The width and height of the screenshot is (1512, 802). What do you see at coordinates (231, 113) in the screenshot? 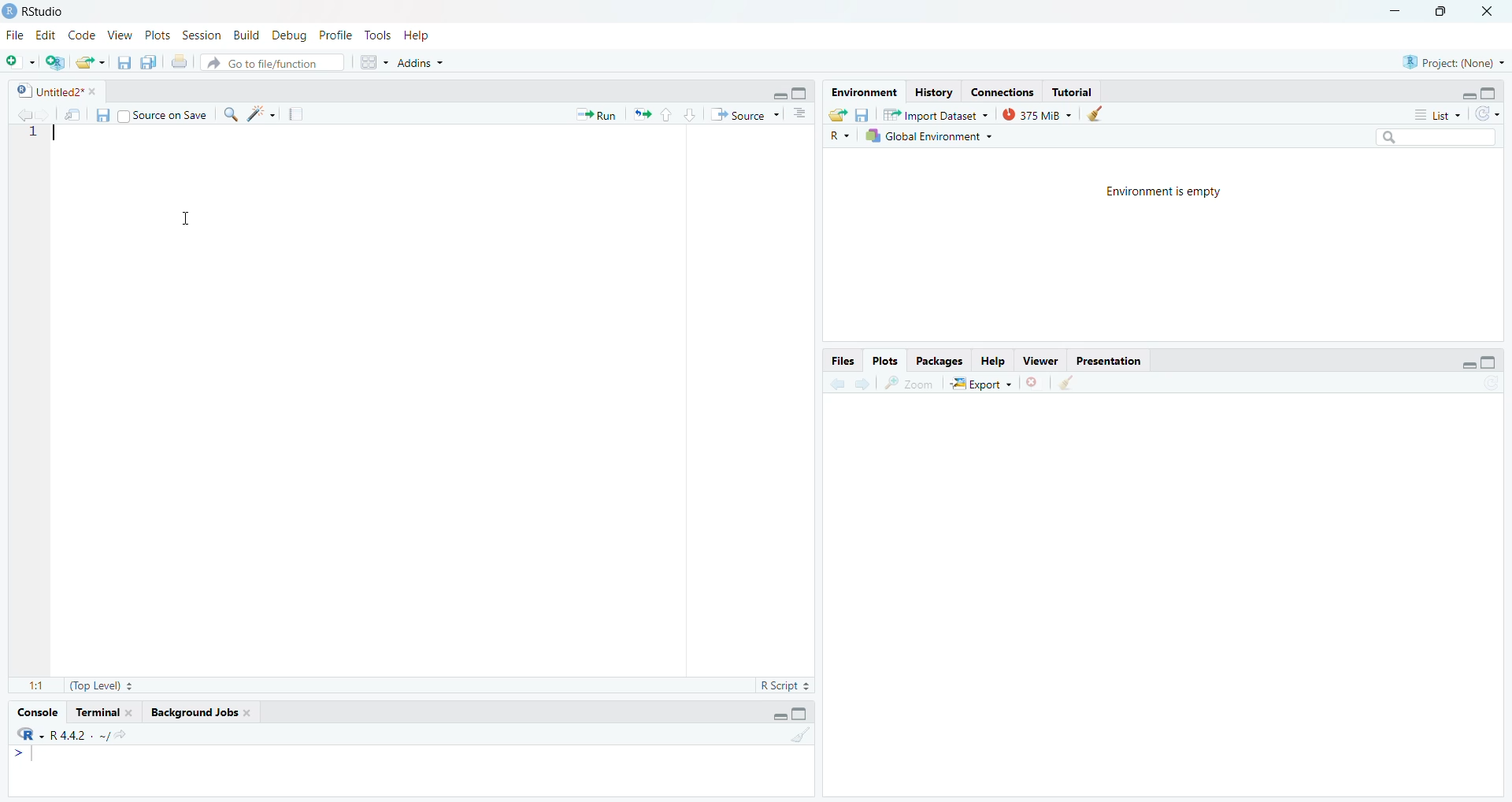
I see `find/replace` at bounding box center [231, 113].